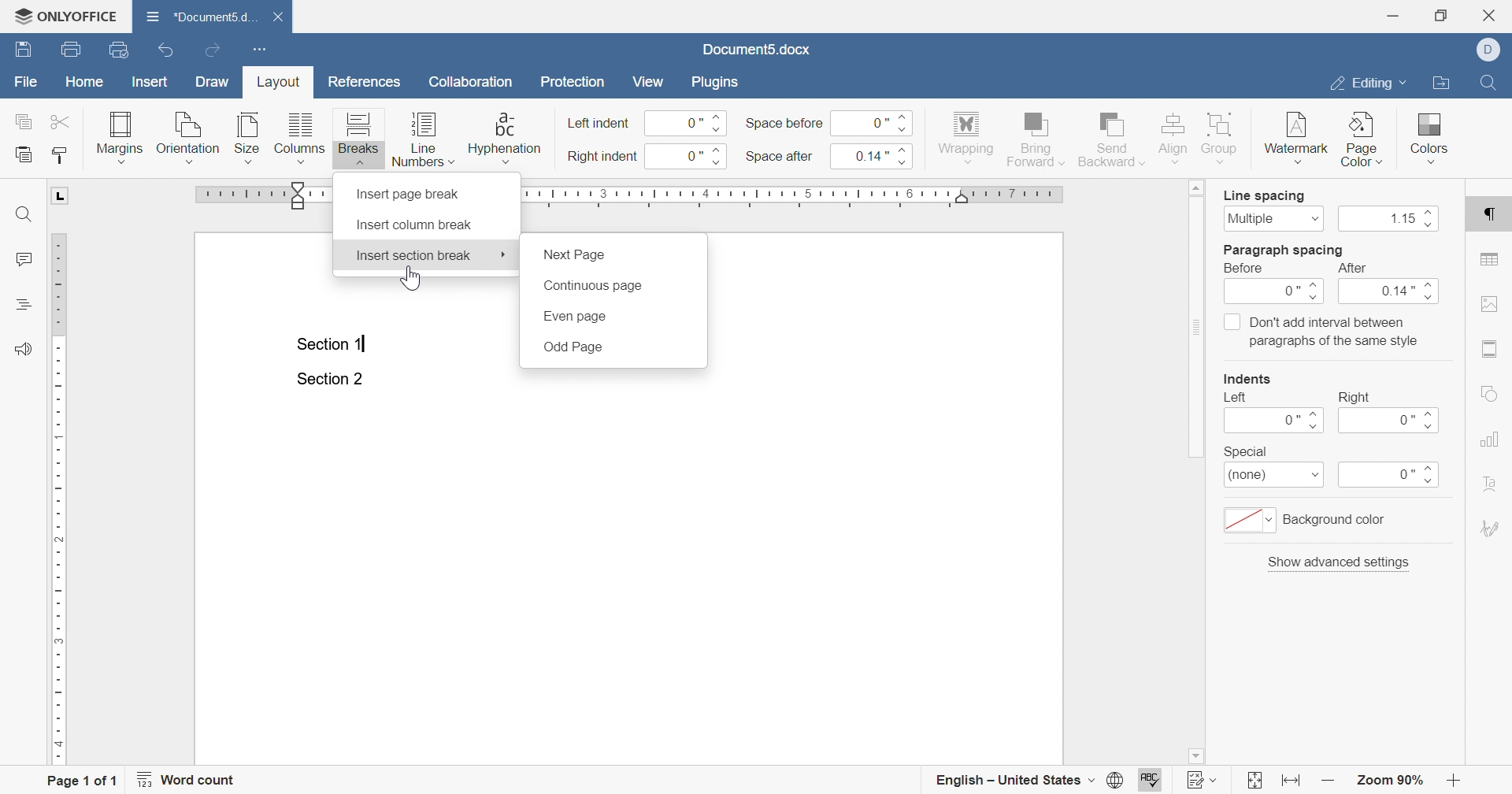 Image resolution: width=1512 pixels, height=794 pixels. I want to click on page color, so click(1363, 139).